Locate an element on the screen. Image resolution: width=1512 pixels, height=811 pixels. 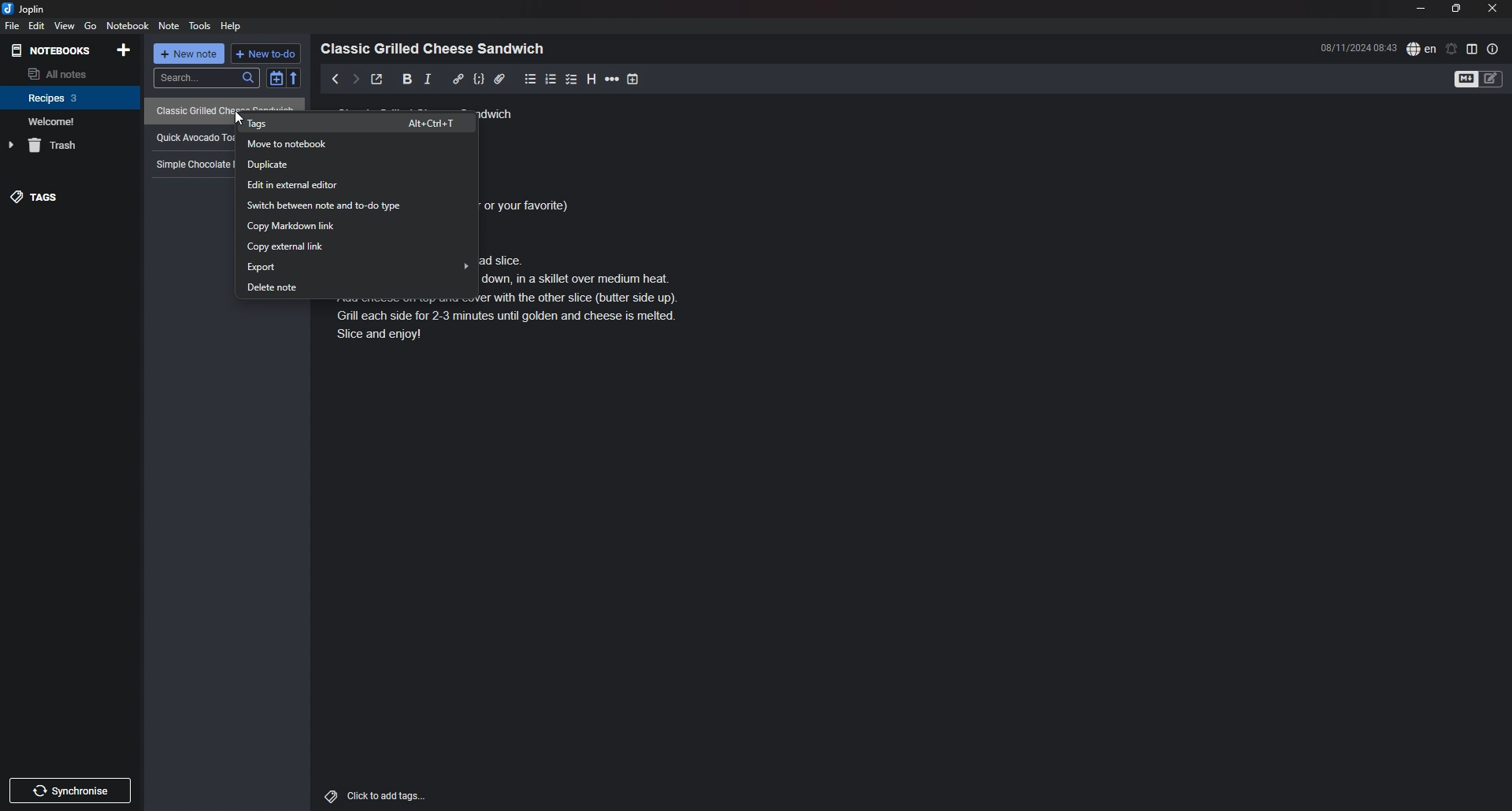
copy external link is located at coordinates (359, 247).